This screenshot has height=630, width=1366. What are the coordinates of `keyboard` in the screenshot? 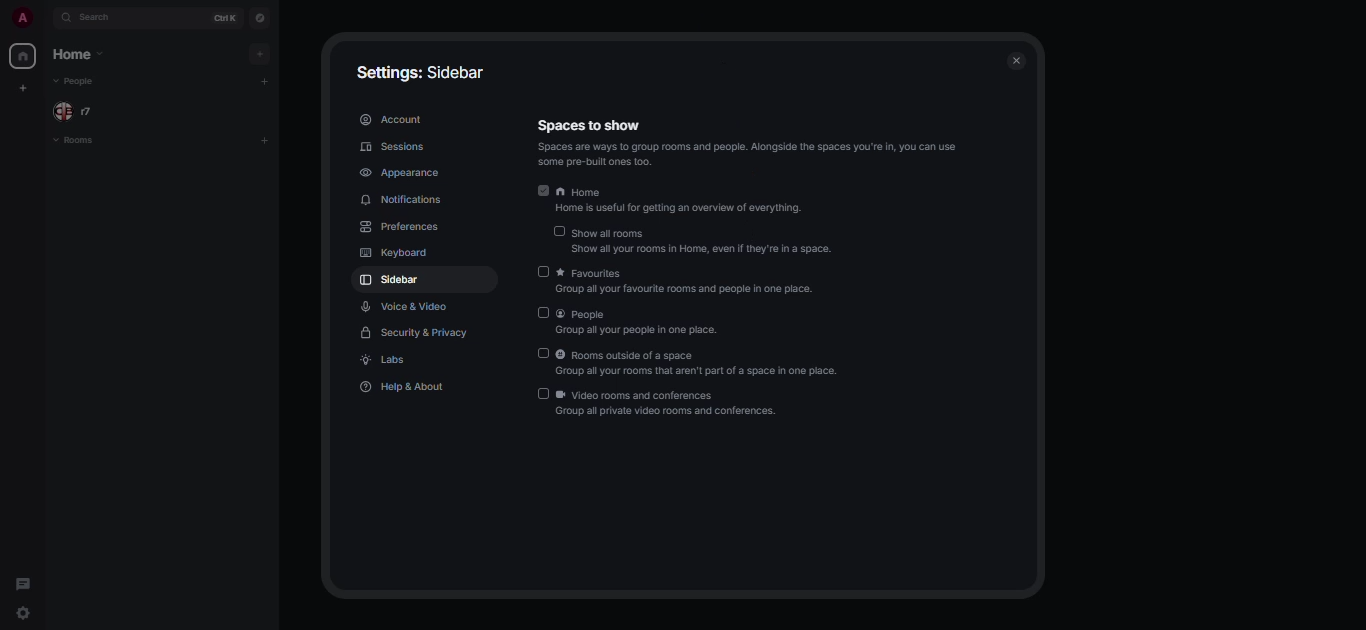 It's located at (391, 253).